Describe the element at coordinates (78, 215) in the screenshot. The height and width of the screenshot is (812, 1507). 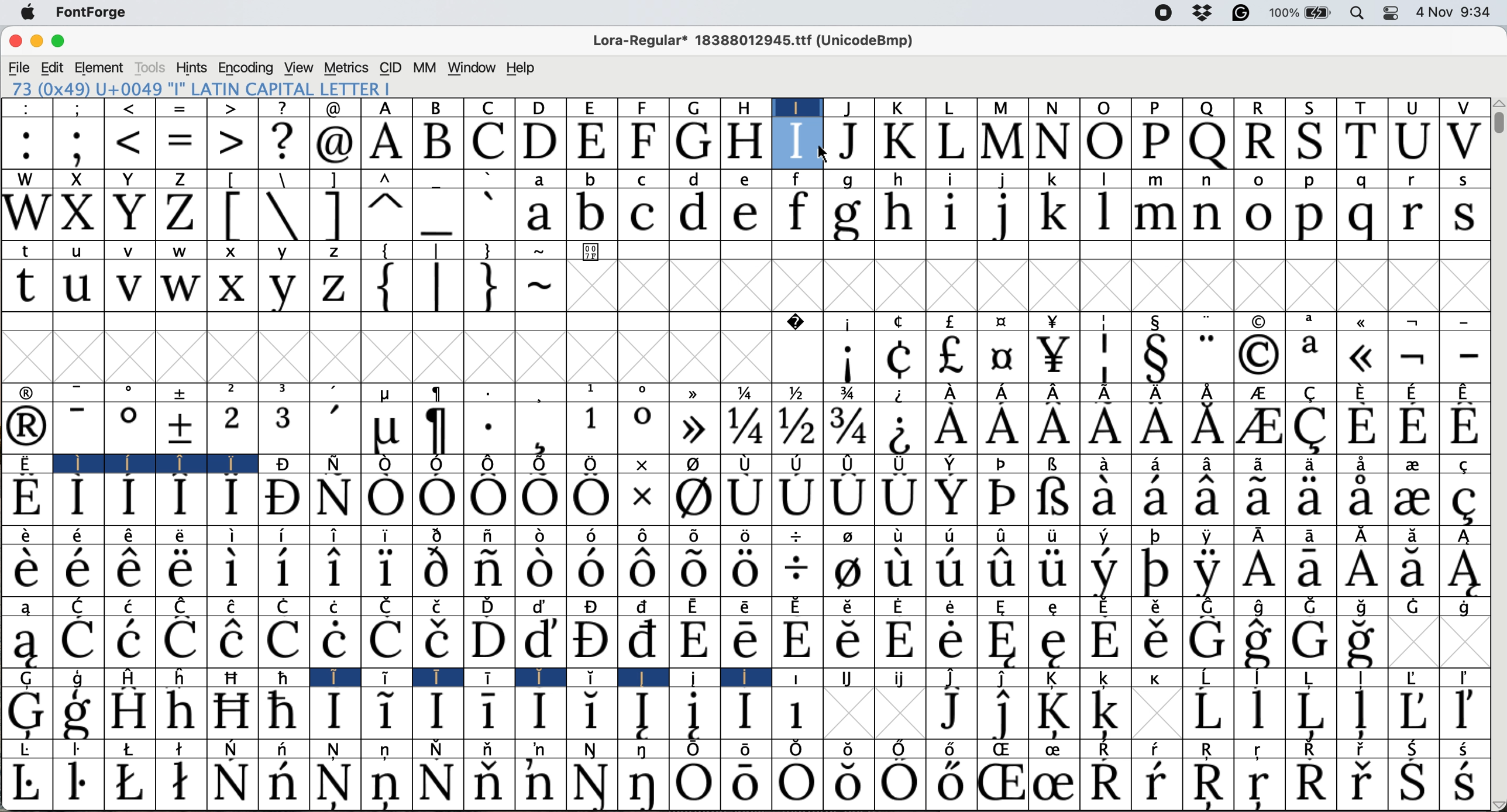
I see `X` at that location.